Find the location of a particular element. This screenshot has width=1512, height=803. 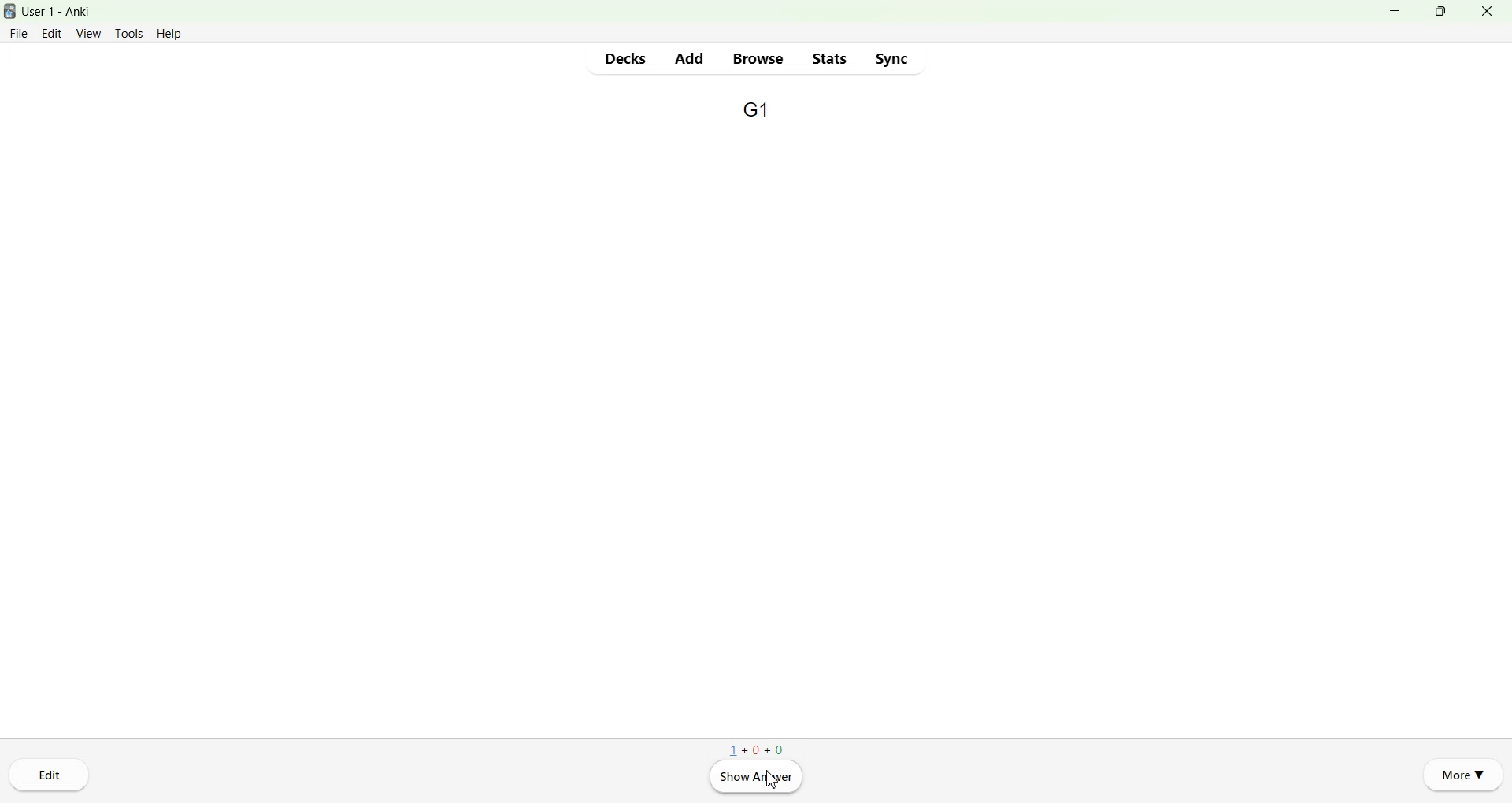

View is located at coordinates (89, 33).